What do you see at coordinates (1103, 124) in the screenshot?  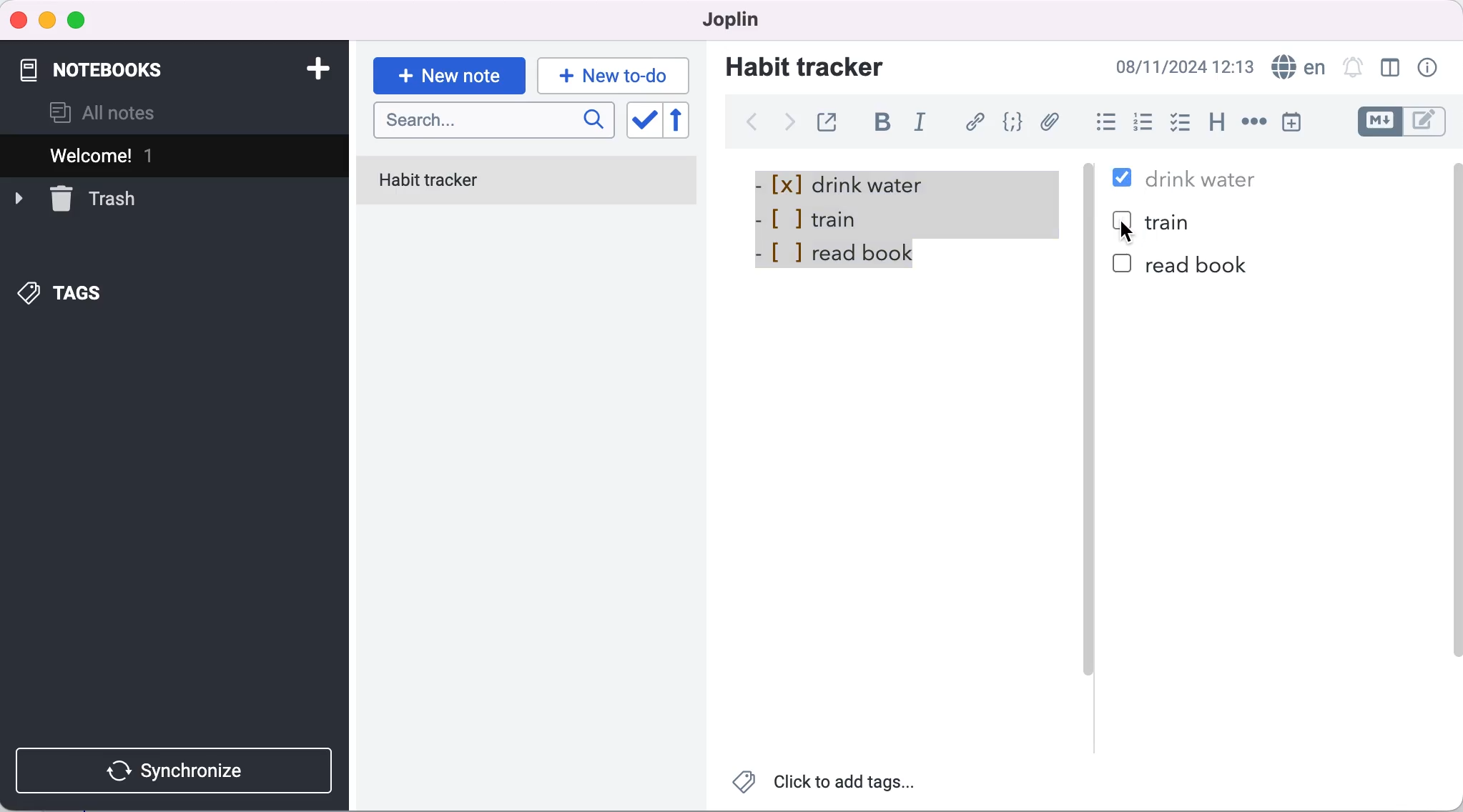 I see `bulleted list` at bounding box center [1103, 124].